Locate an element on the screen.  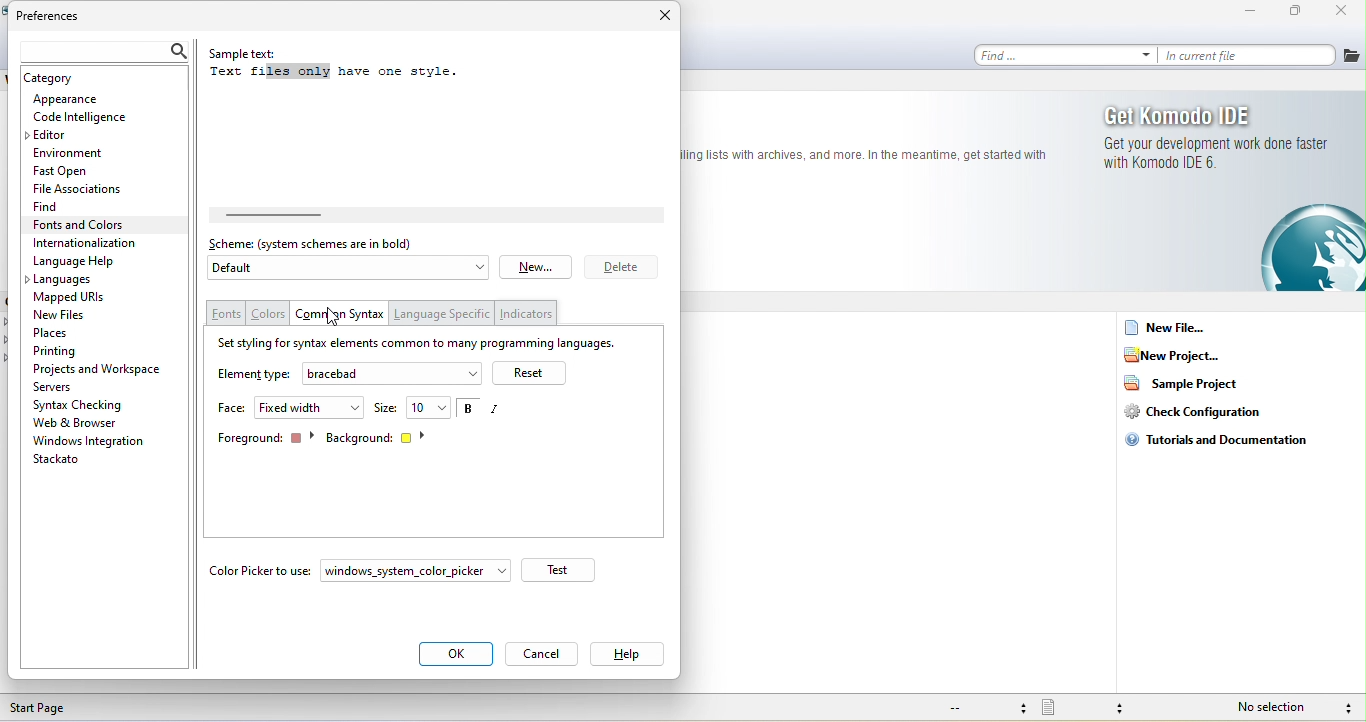
cancel is located at coordinates (543, 652).